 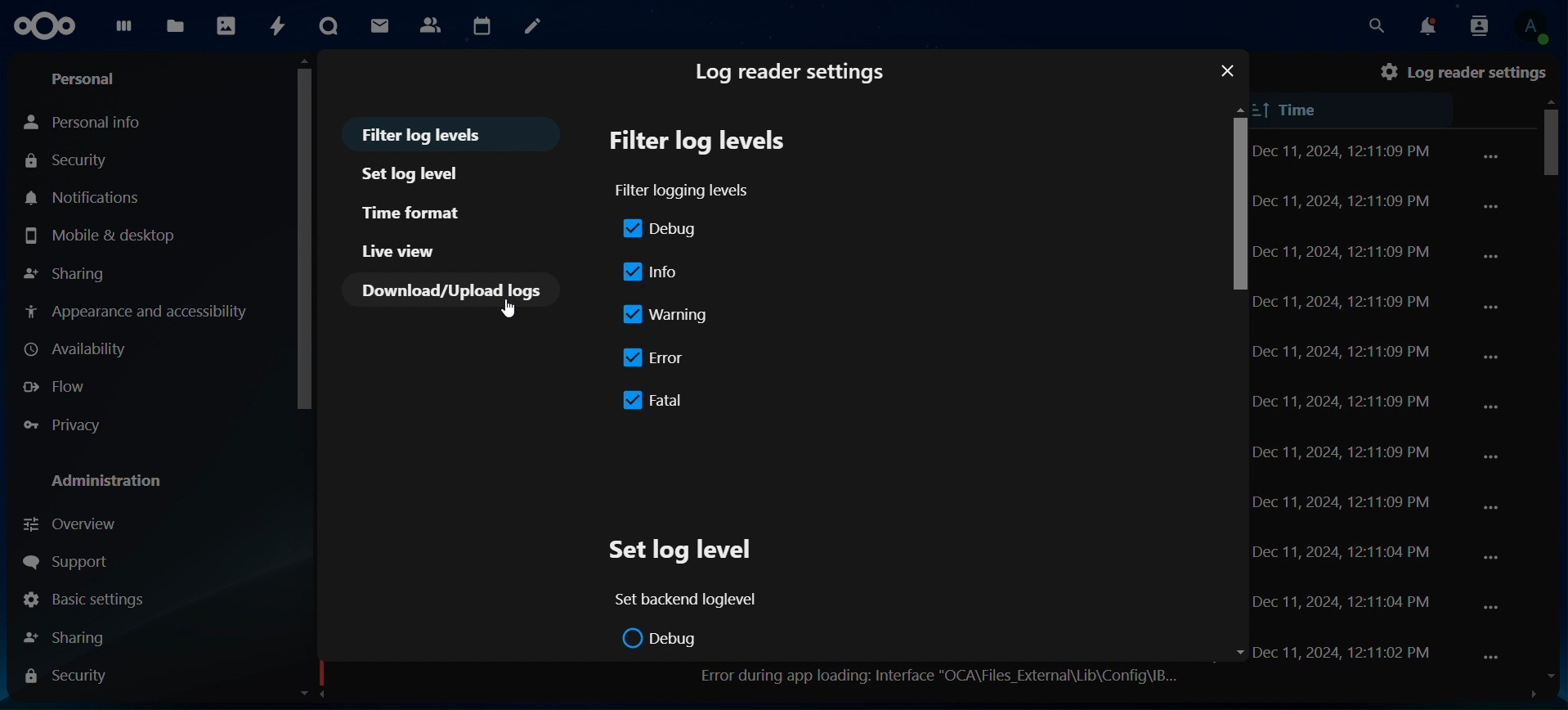 I want to click on basic settings, so click(x=85, y=600).